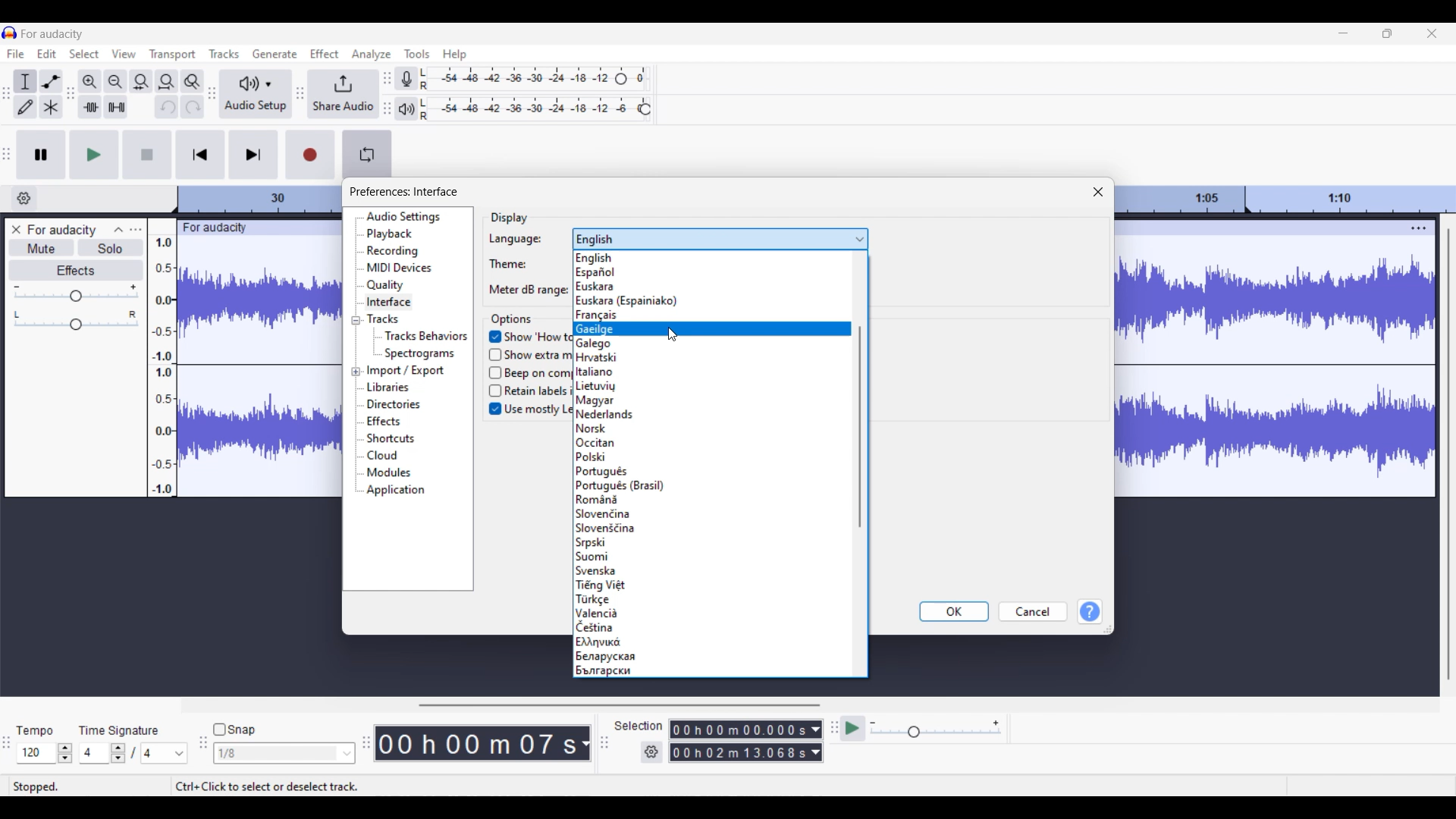 The image size is (1456, 819). What do you see at coordinates (597, 386) in the screenshot?
I see `Lietuviu` at bounding box center [597, 386].